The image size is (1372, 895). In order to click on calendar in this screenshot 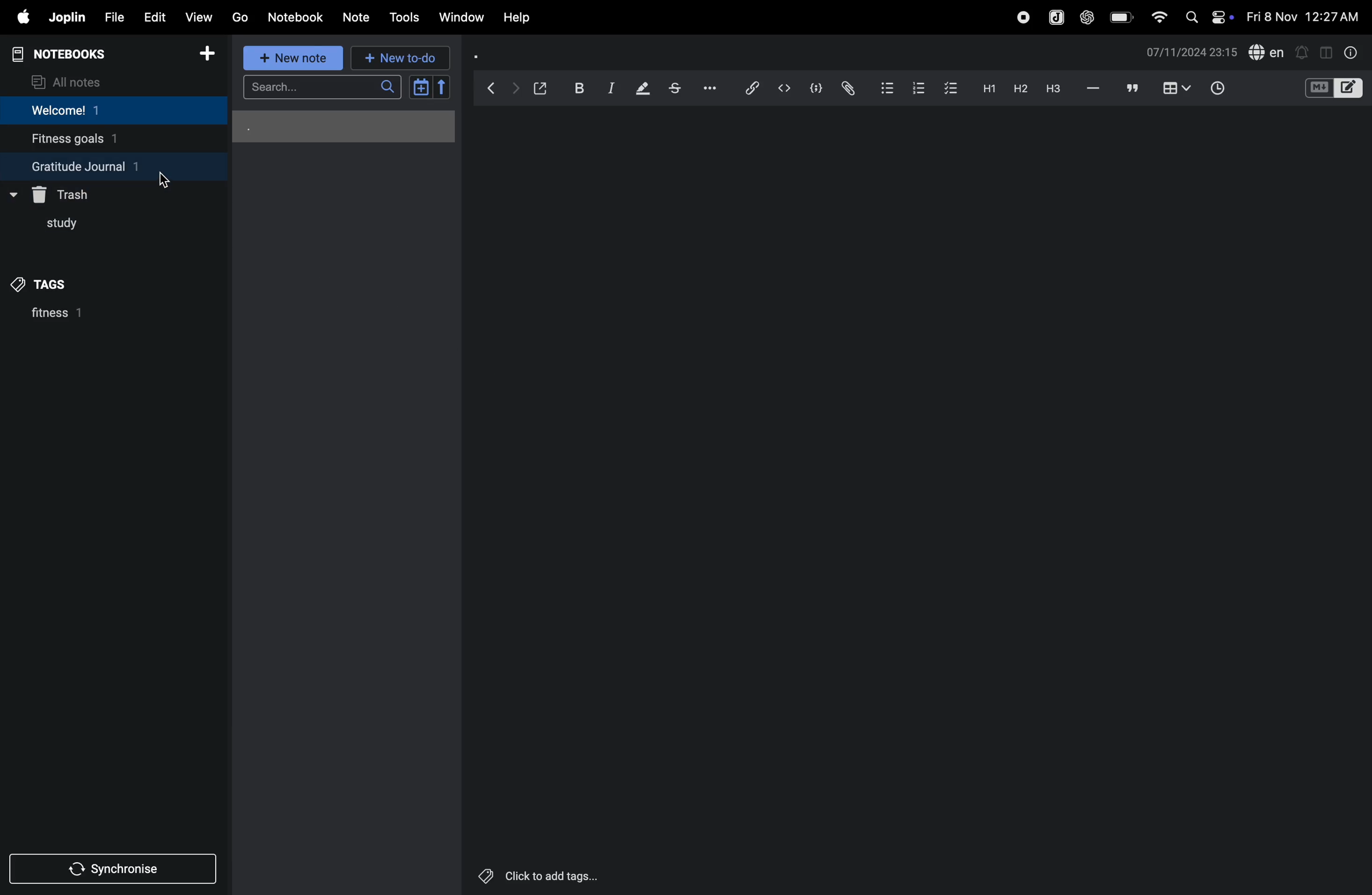, I will do `click(429, 87)`.